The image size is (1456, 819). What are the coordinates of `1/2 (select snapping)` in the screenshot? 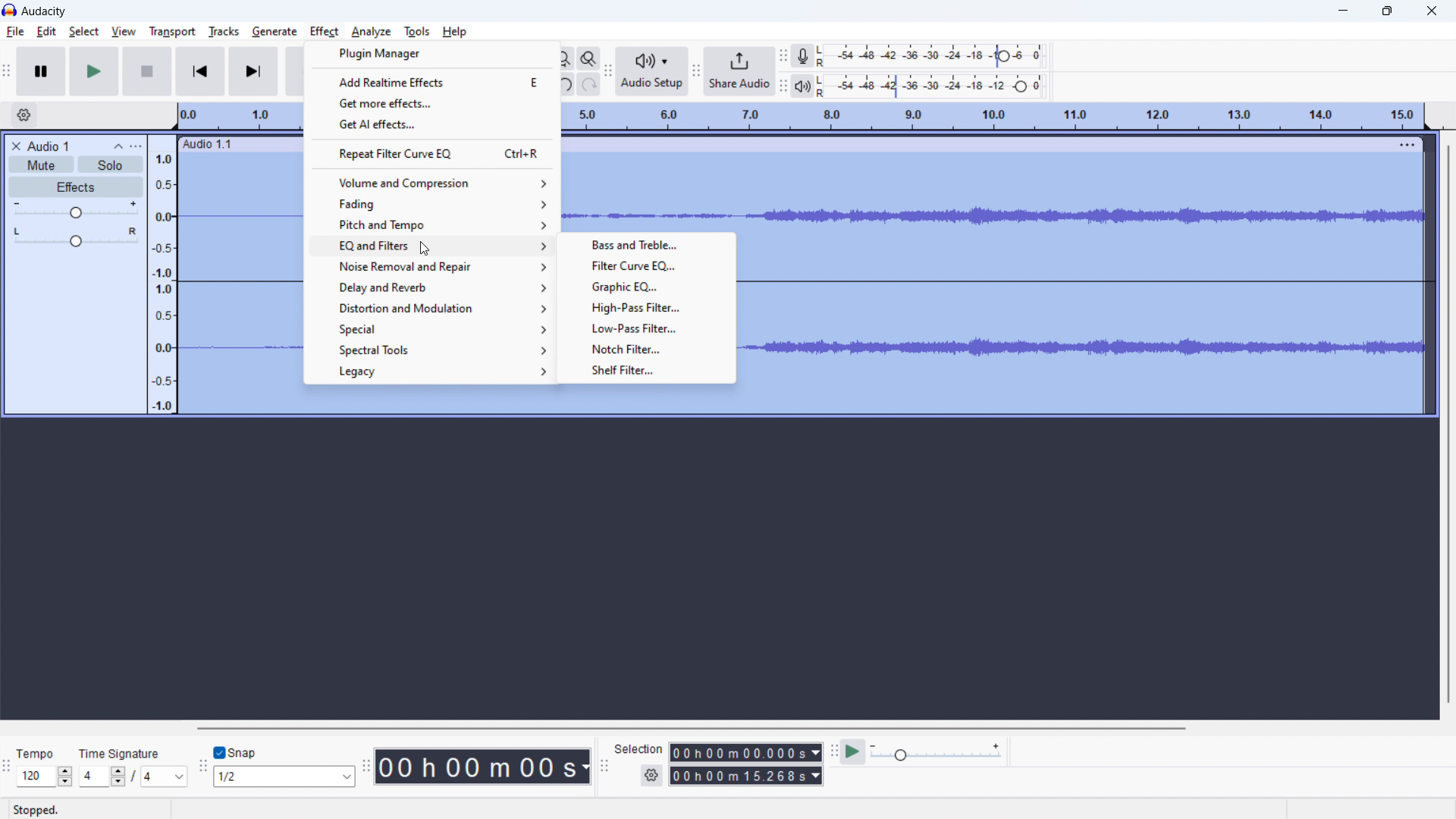 It's located at (285, 776).